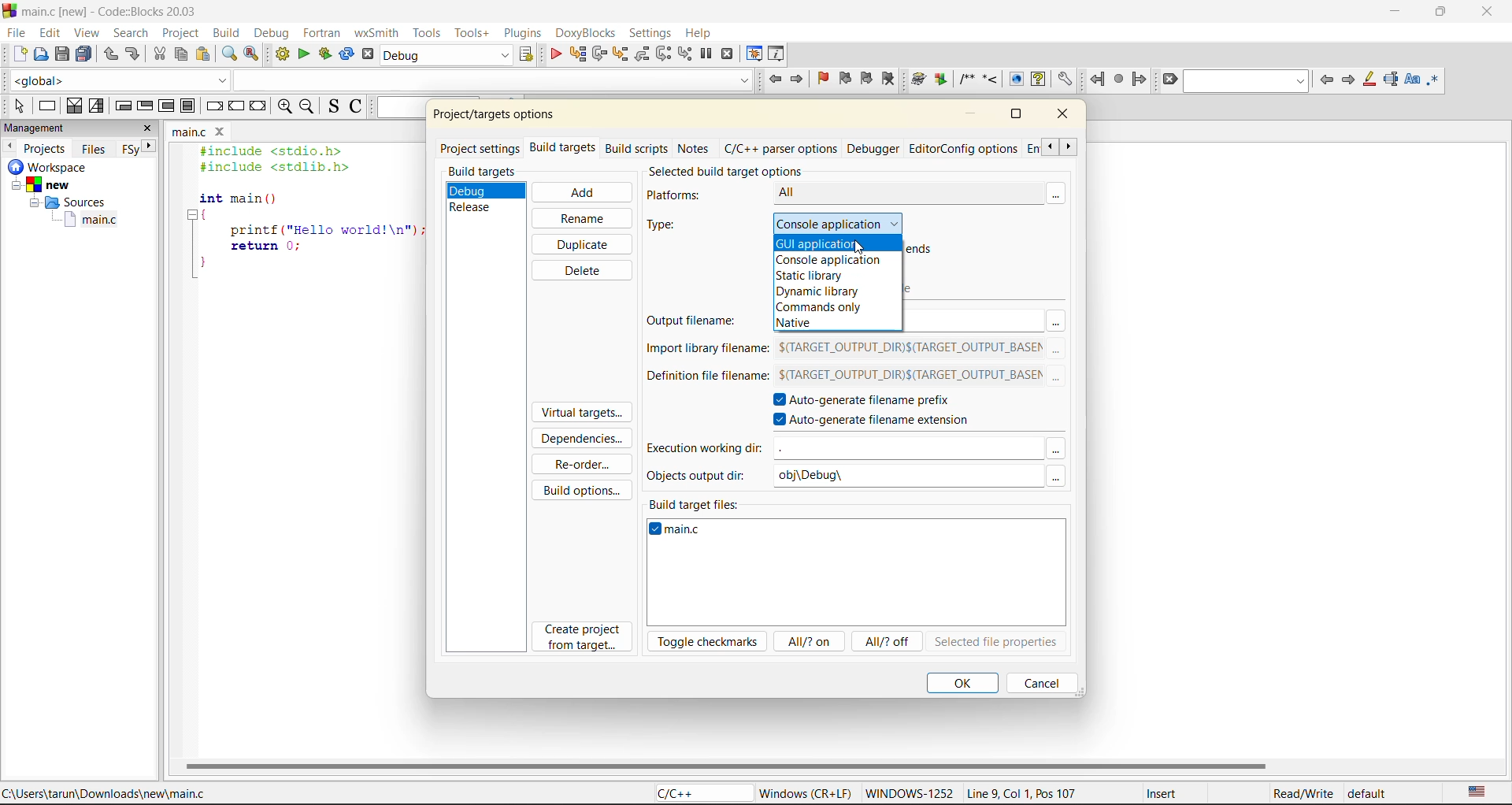  I want to click on $(TARGET_OUTPUT_DIR)$(TARGET_OUTPUT_BASEM, so click(922, 374).